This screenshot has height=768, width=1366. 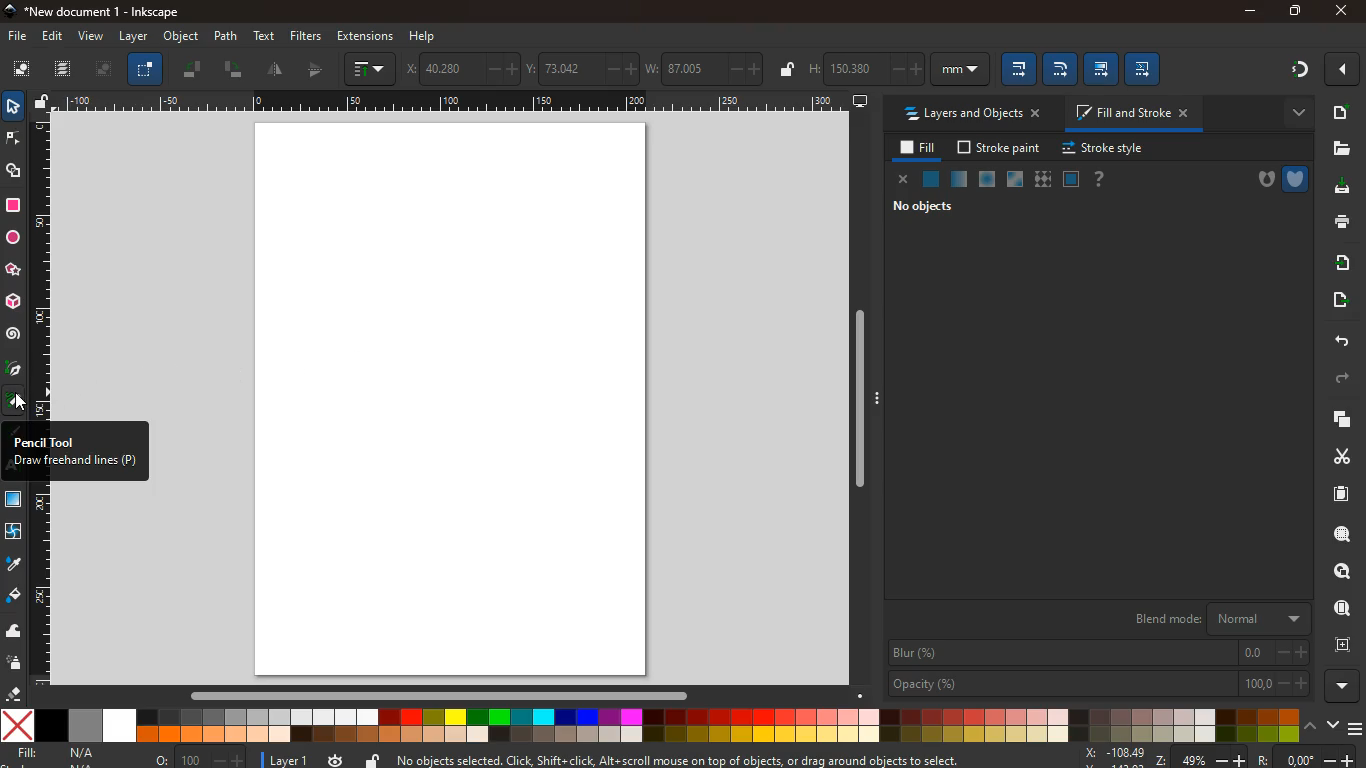 What do you see at coordinates (1336, 340) in the screenshot?
I see `back` at bounding box center [1336, 340].